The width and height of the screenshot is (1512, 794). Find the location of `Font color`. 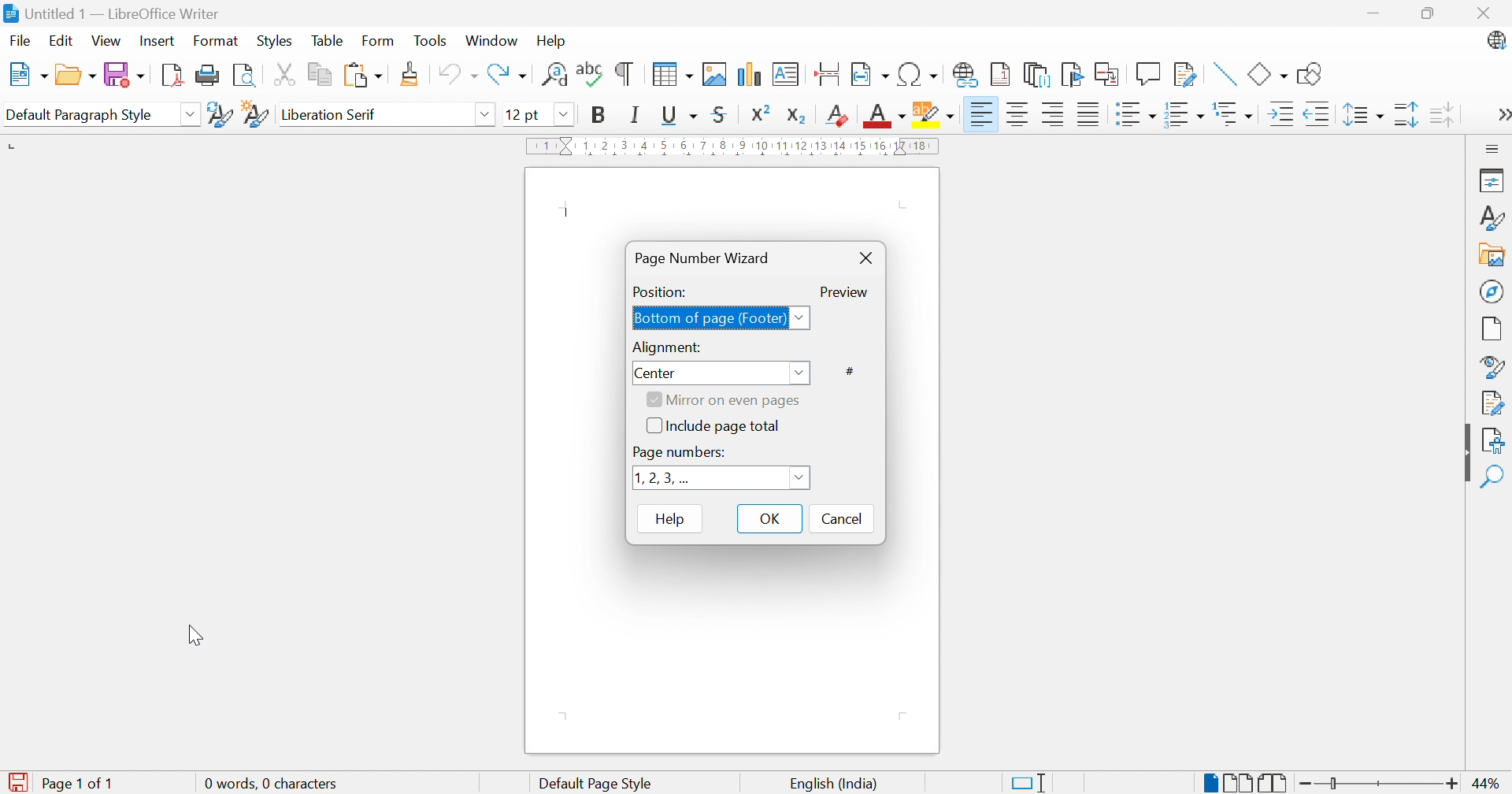

Font color is located at coordinates (886, 117).